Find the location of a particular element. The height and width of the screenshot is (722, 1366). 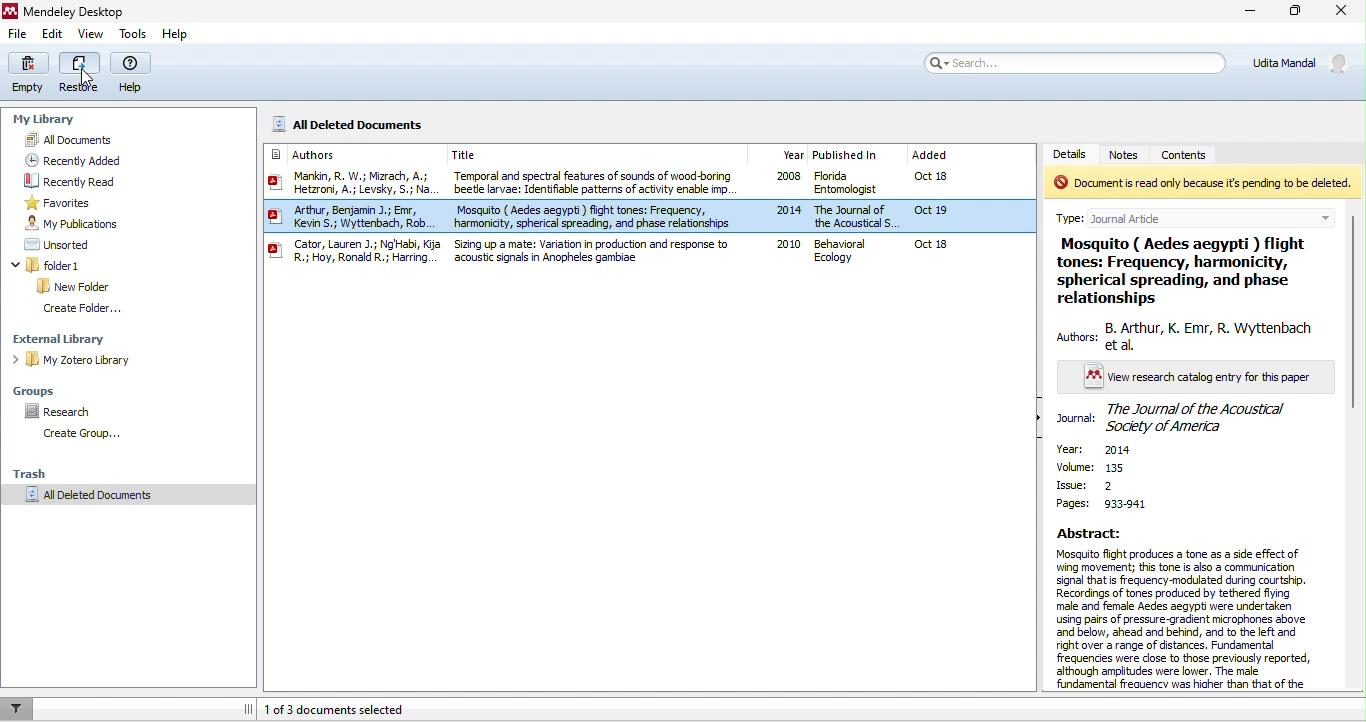

research is located at coordinates (61, 410).